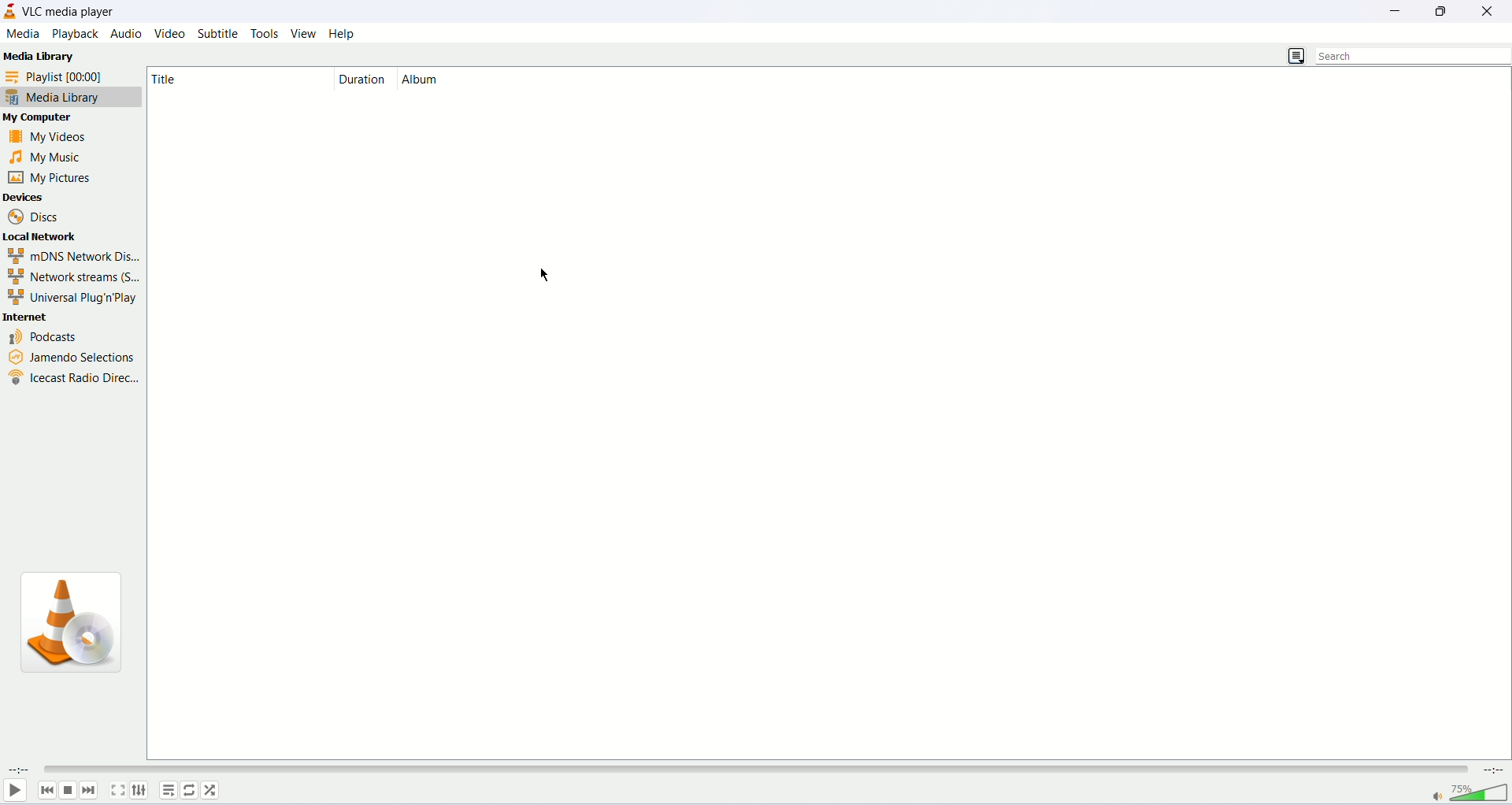  I want to click on played time, so click(19, 770).